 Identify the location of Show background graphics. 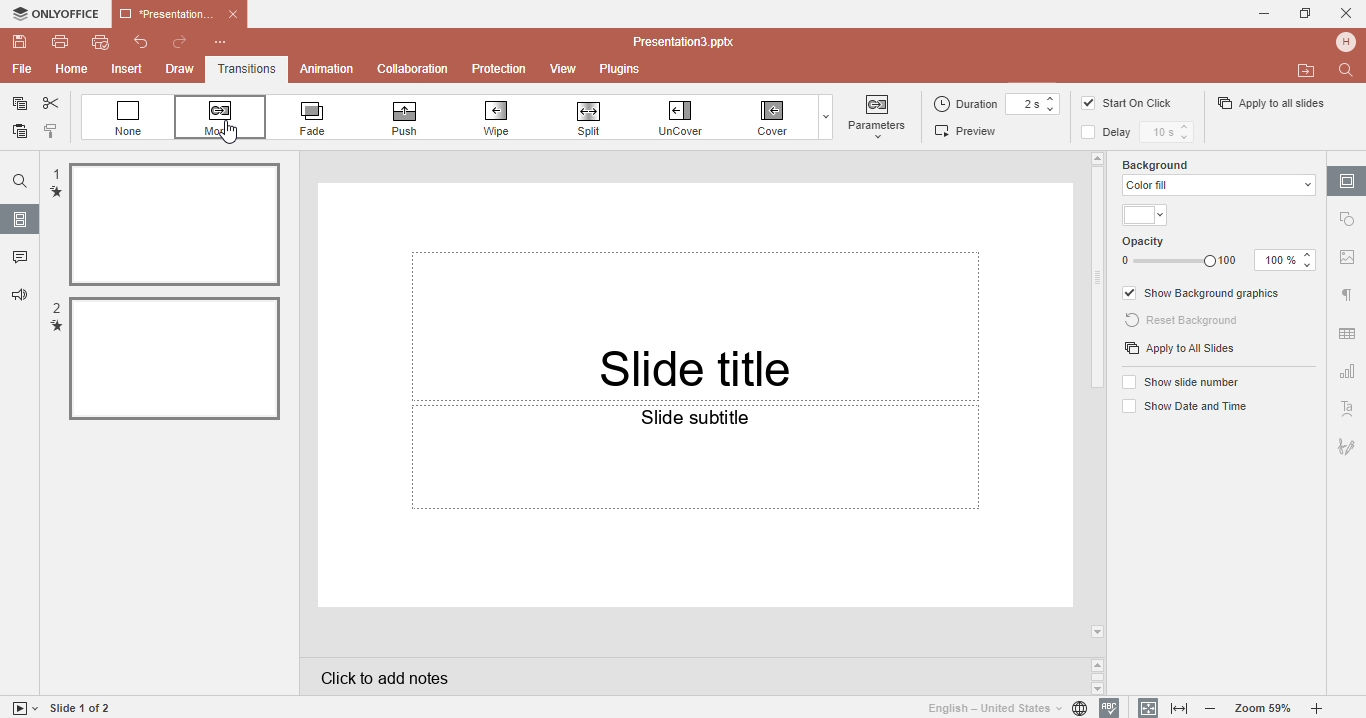
(1204, 294).